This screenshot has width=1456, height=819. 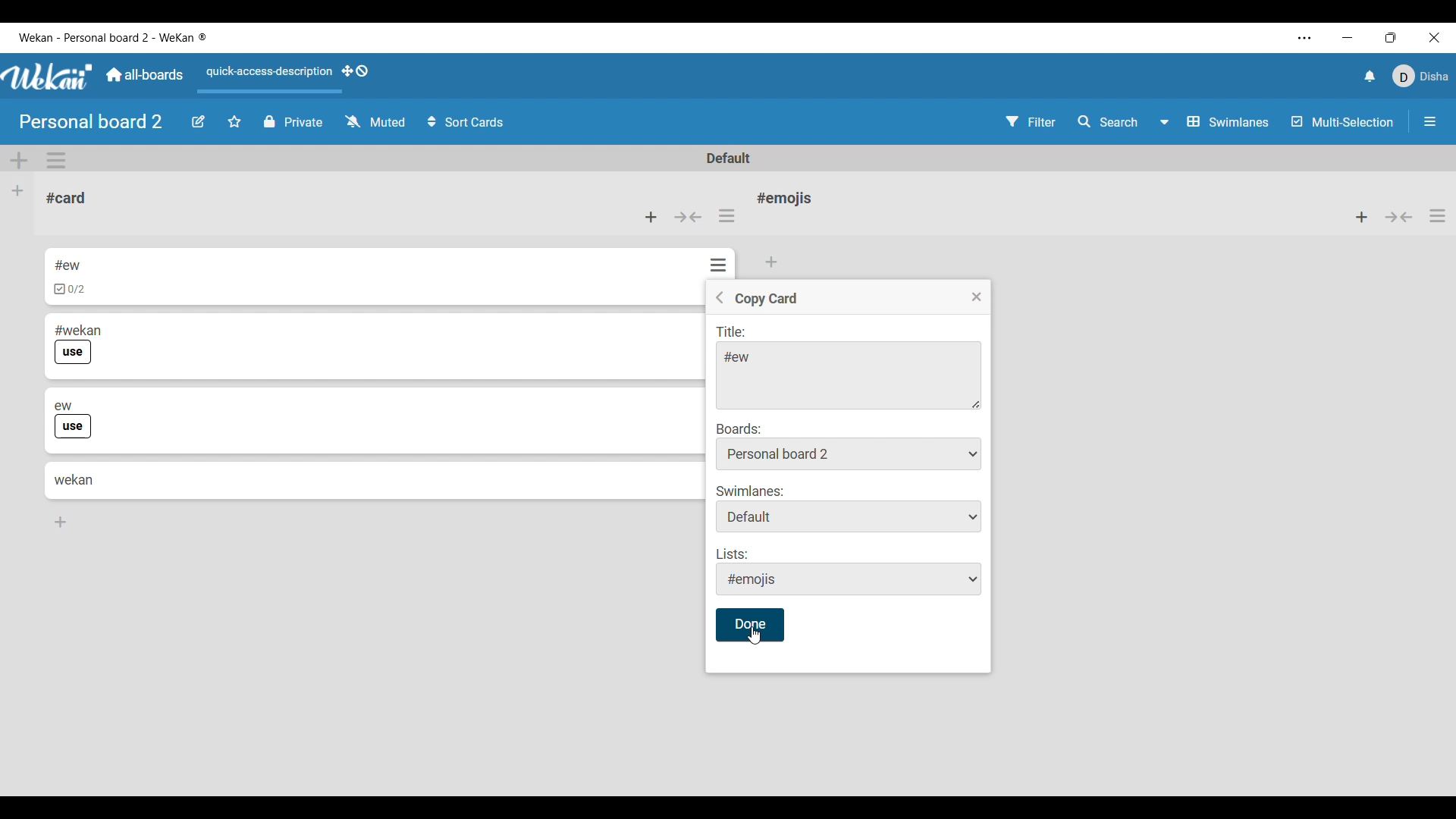 I want to click on Indicates title, so click(x=733, y=333).